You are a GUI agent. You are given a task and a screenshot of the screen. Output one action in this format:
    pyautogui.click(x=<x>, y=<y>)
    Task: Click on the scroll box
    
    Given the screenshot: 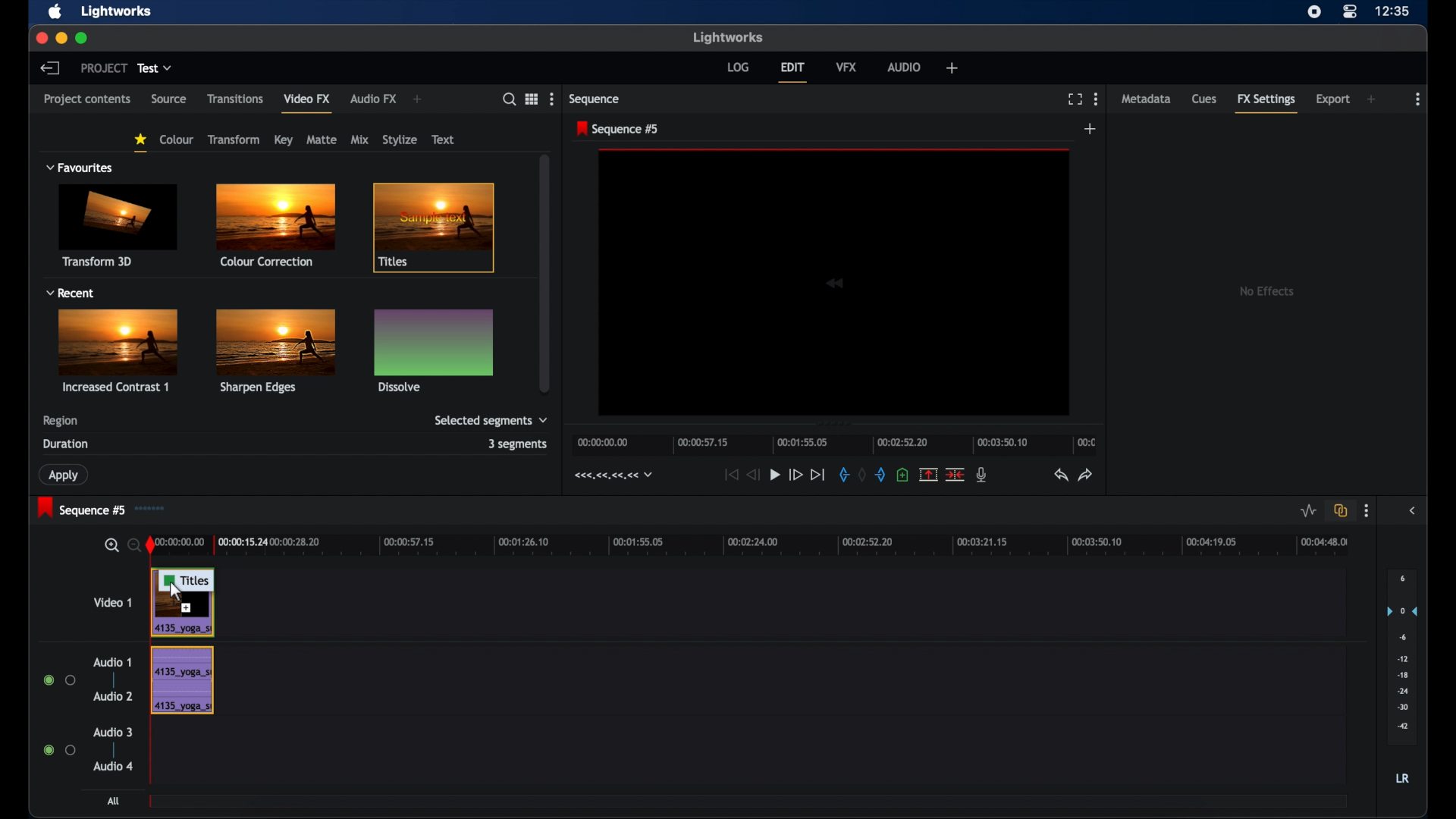 What is the action you would take?
    pyautogui.click(x=546, y=273)
    